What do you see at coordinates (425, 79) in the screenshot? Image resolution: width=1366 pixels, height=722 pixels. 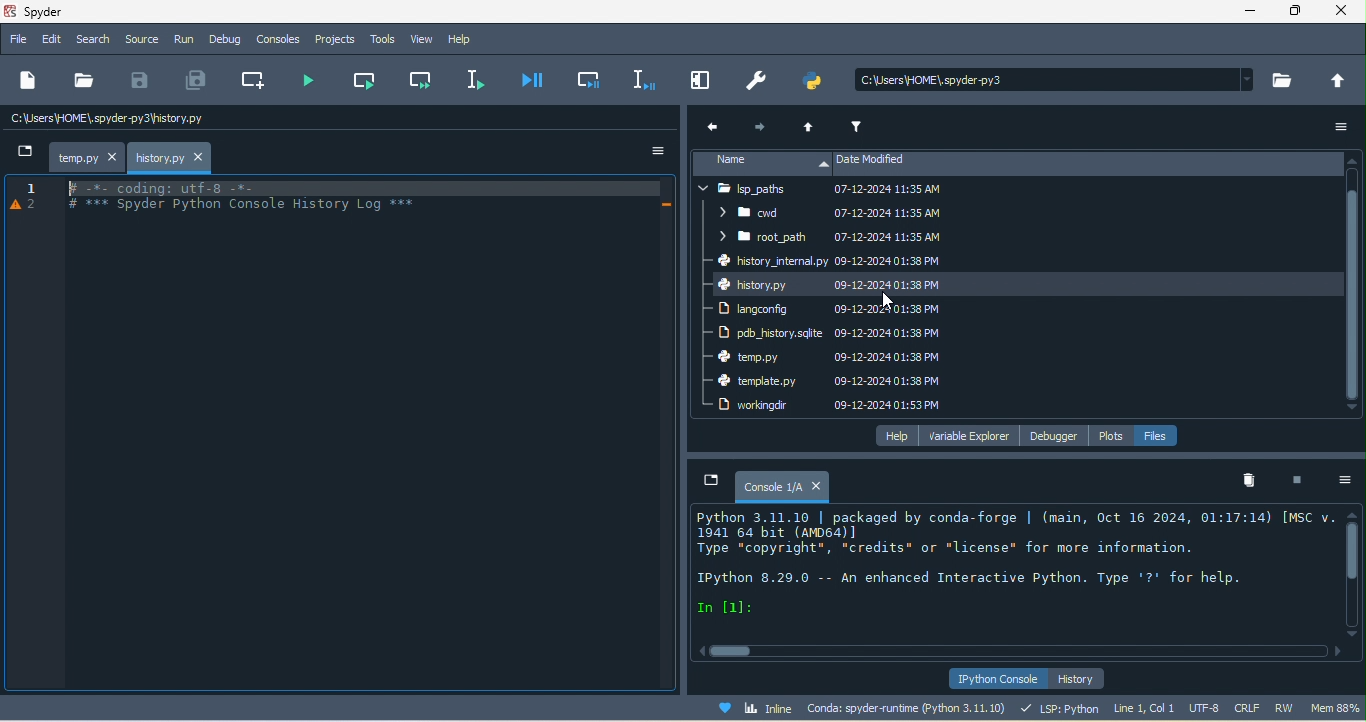 I see `run current cell and go to the next one` at bounding box center [425, 79].